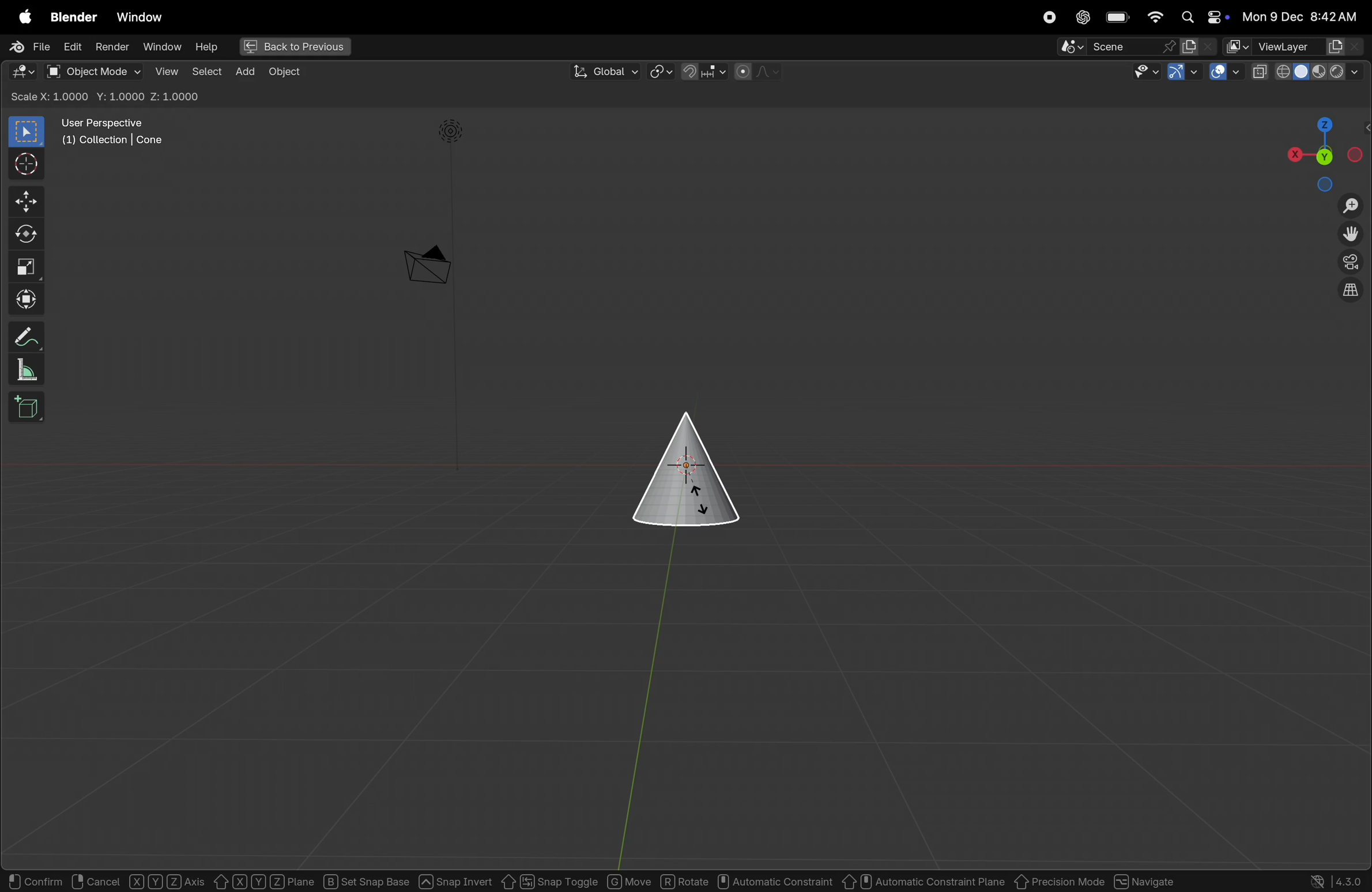  What do you see at coordinates (26, 266) in the screenshot?
I see `scale` at bounding box center [26, 266].